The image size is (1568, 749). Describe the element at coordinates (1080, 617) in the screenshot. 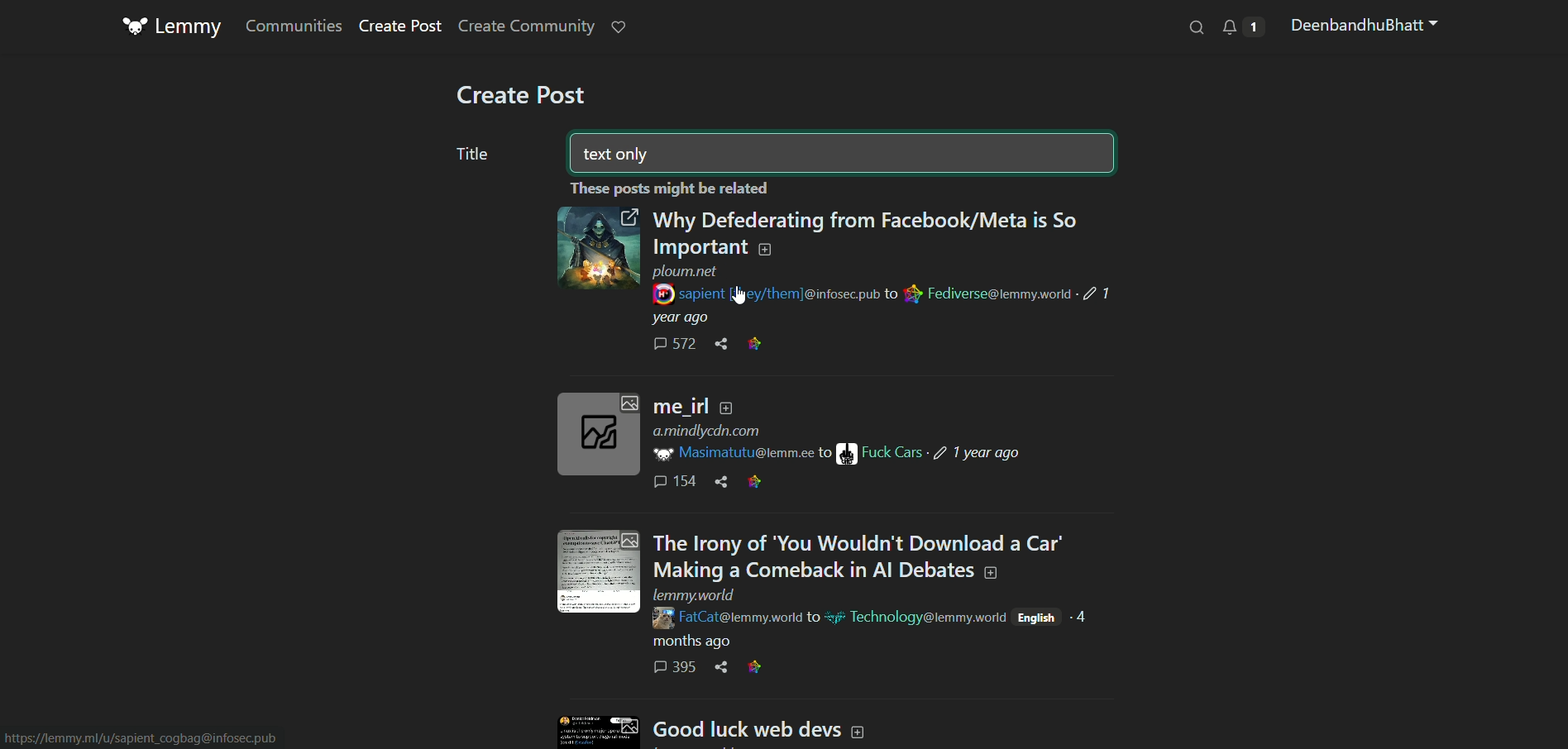

I see `Indicates made 4 months ago` at that location.